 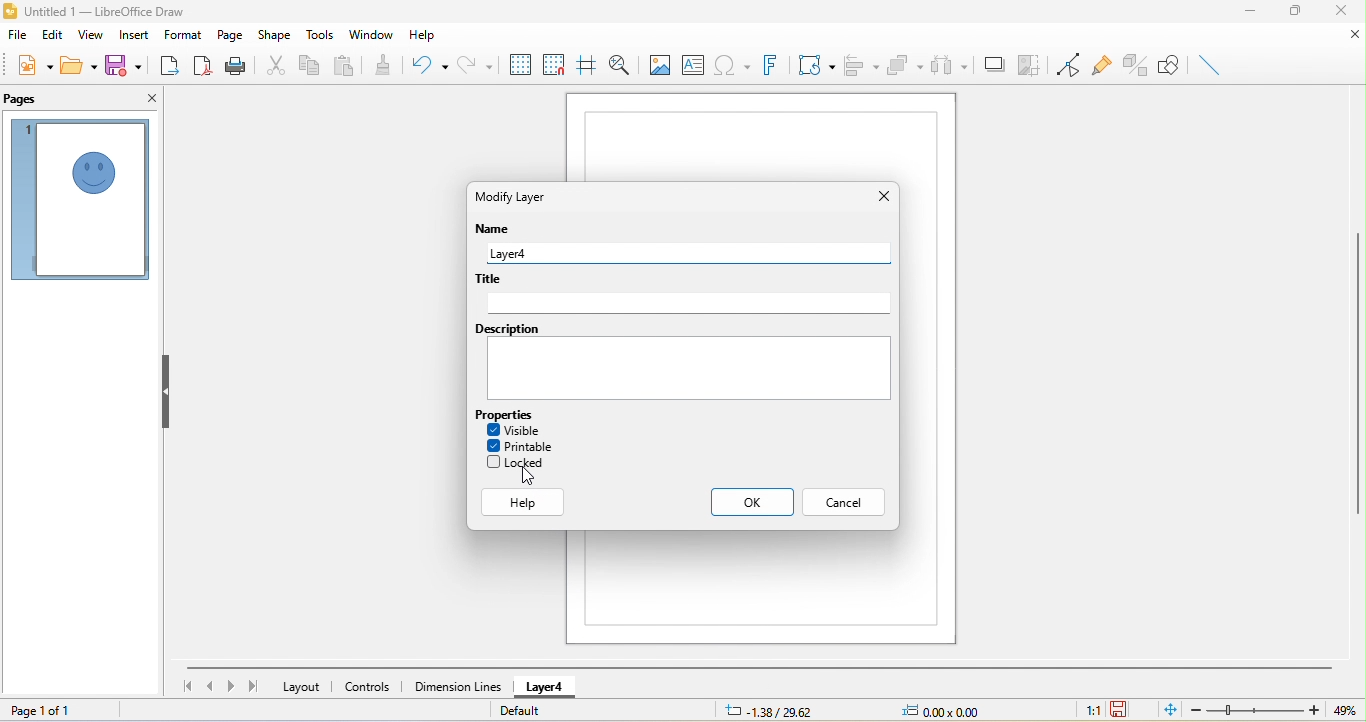 I want to click on ok, so click(x=746, y=503).